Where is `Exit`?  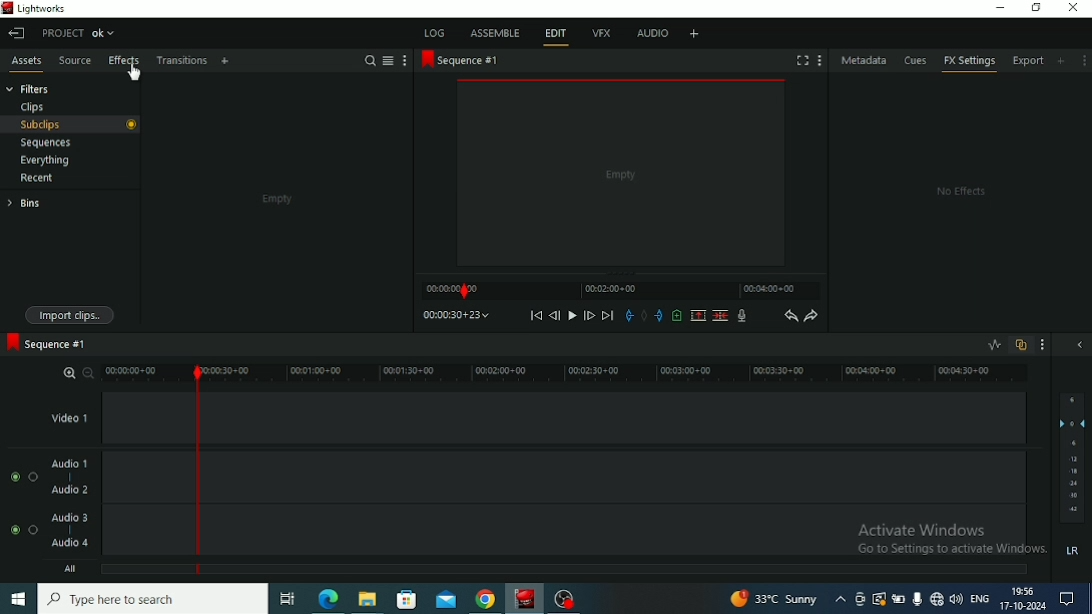 Exit is located at coordinates (16, 33).